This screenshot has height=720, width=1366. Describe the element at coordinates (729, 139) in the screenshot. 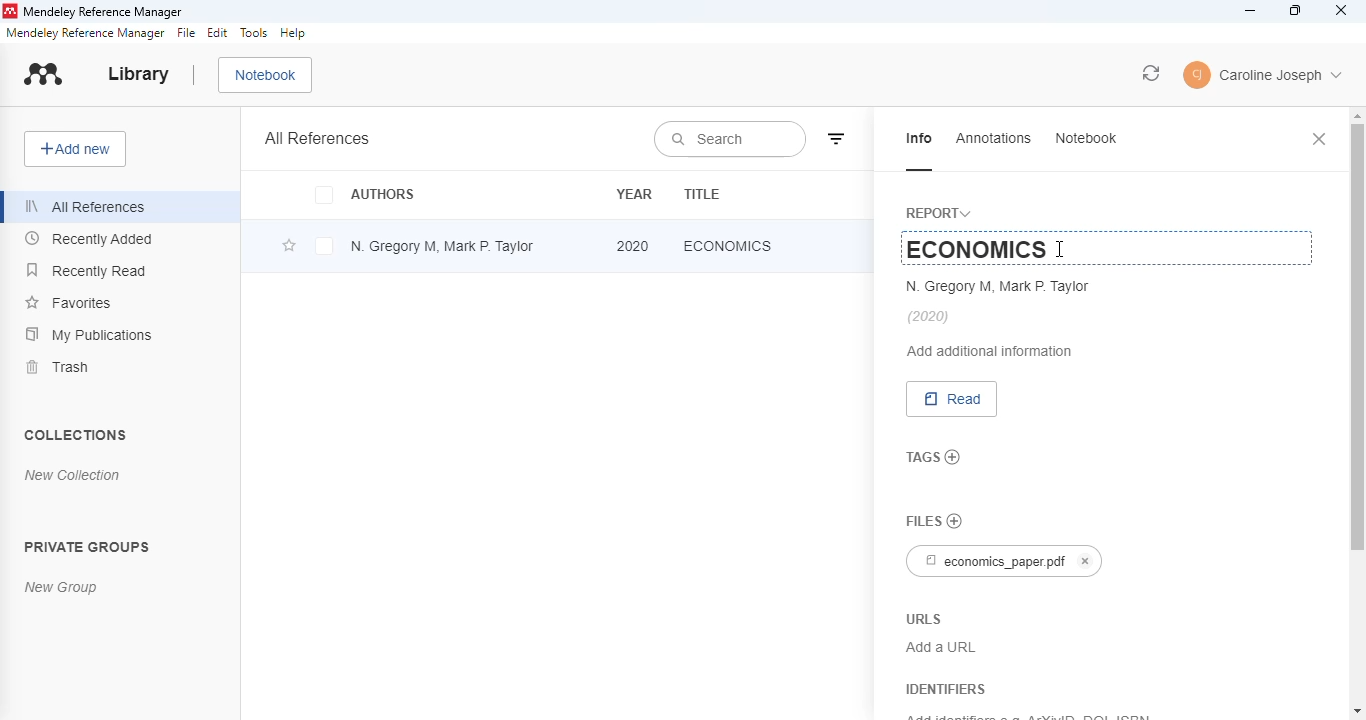

I see `search` at that location.